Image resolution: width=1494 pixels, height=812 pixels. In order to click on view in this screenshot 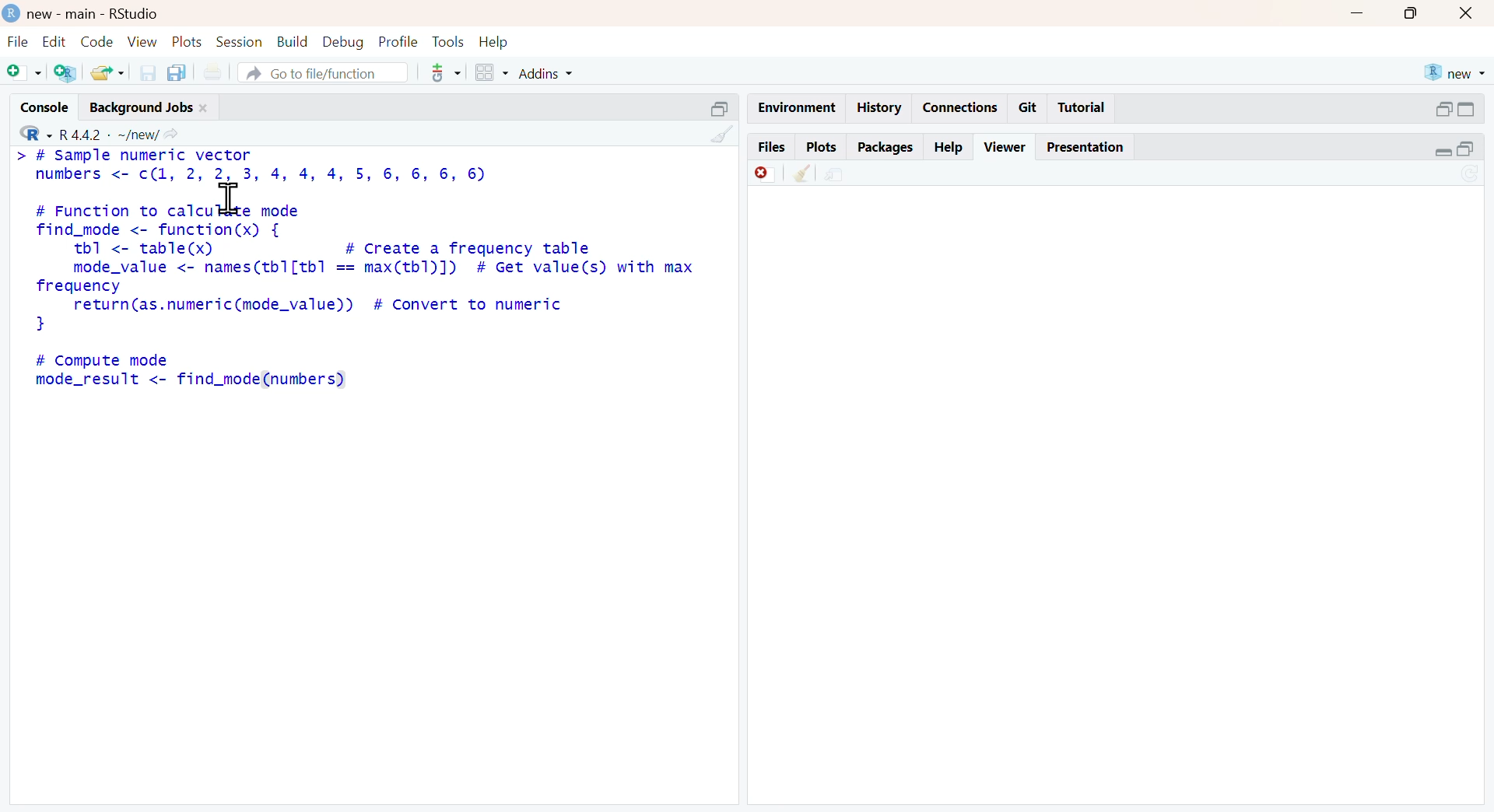, I will do `click(143, 40)`.